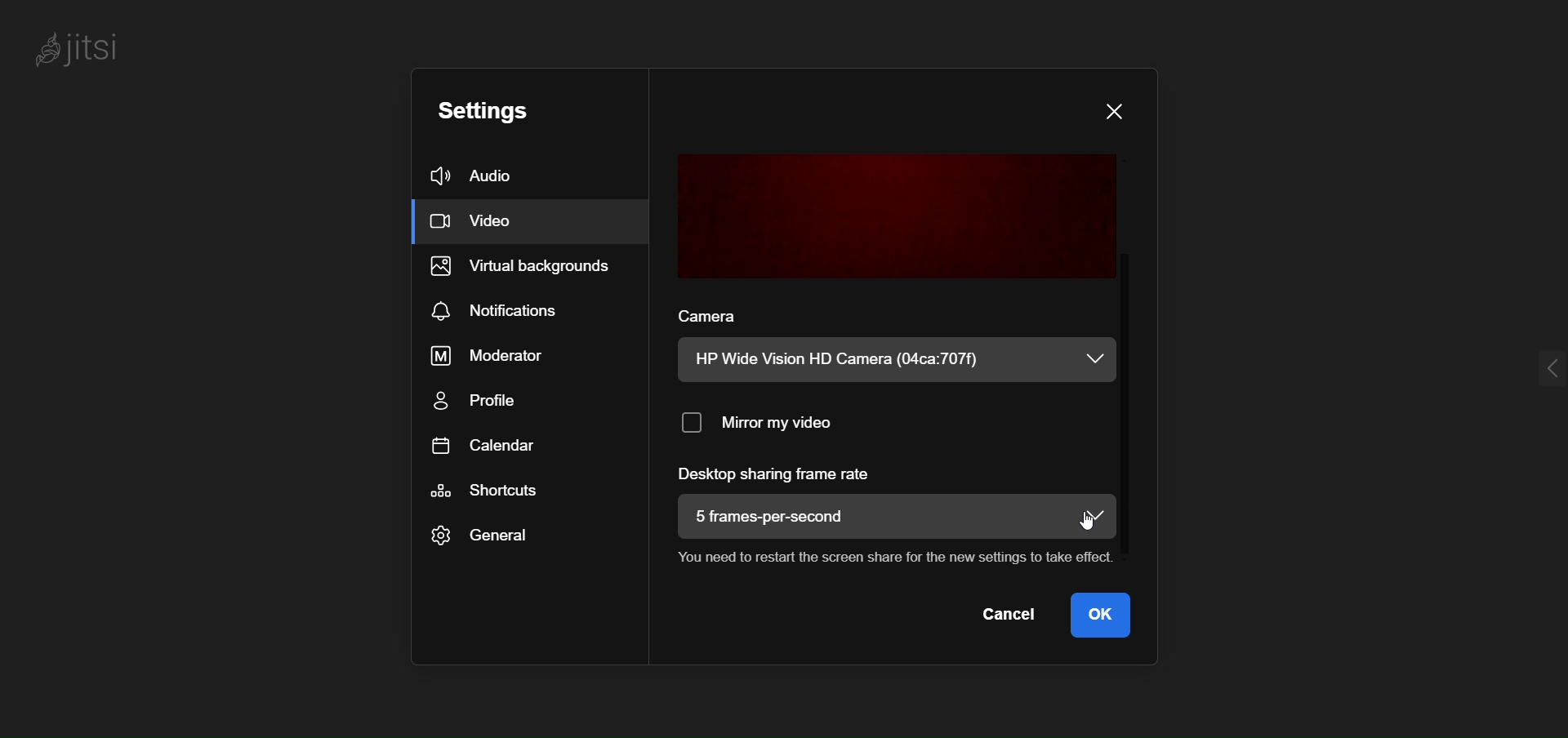 This screenshot has height=738, width=1568. Describe the element at coordinates (709, 312) in the screenshot. I see `camera` at that location.